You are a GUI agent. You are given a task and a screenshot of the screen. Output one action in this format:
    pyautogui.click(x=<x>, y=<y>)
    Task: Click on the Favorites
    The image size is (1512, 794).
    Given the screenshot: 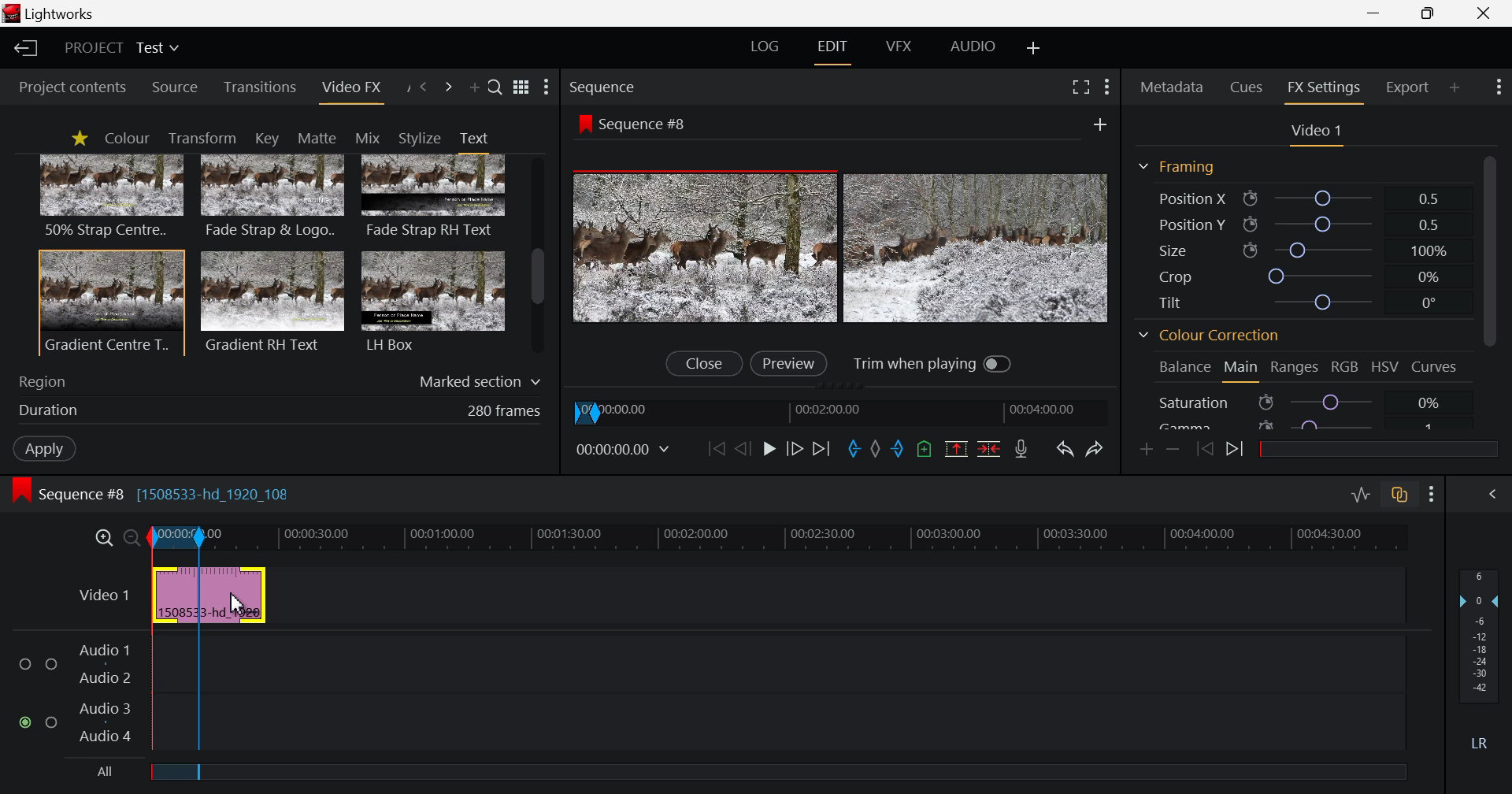 What is the action you would take?
    pyautogui.click(x=79, y=138)
    